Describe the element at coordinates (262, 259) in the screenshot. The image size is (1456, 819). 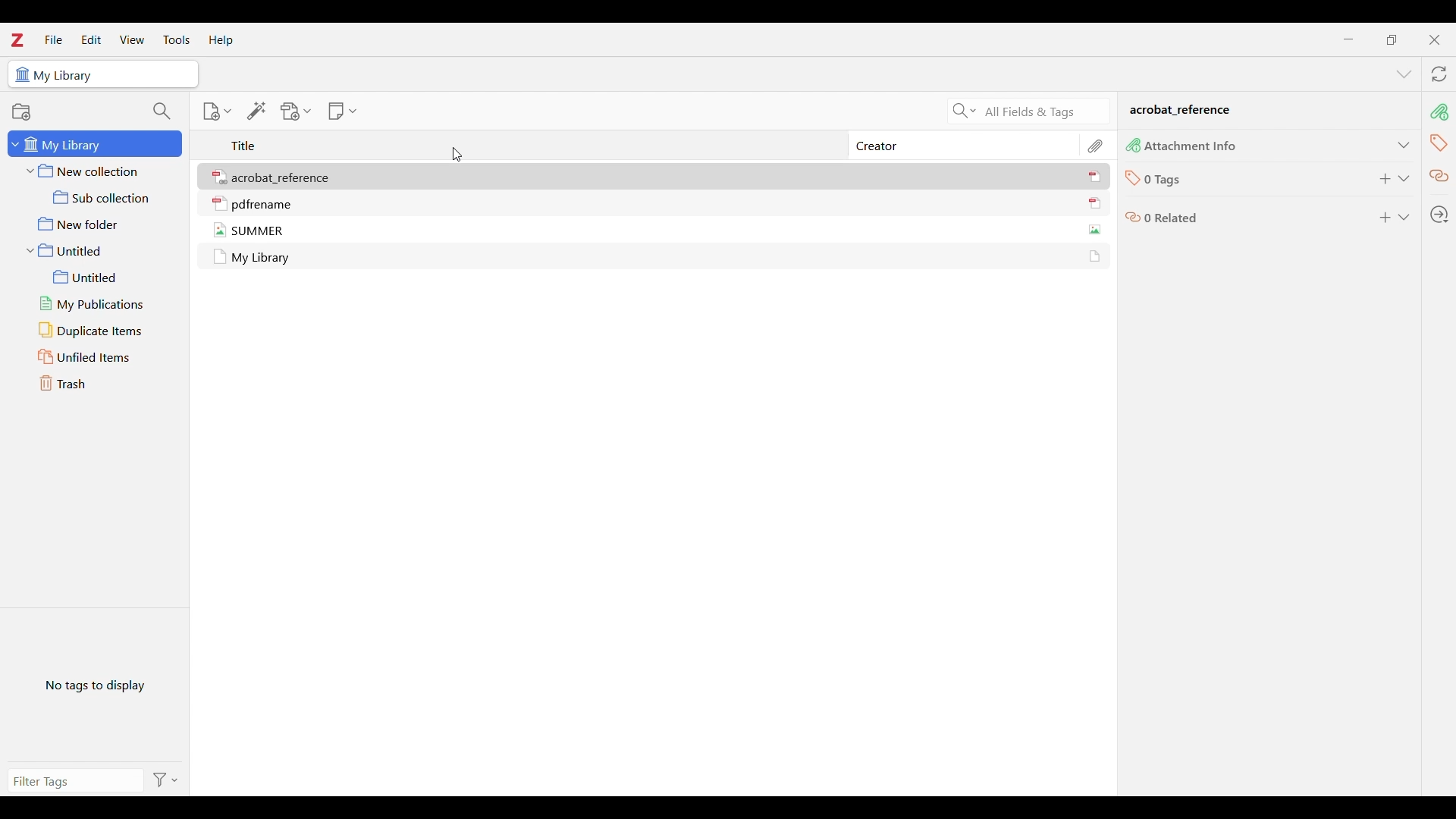
I see `My Library` at that location.